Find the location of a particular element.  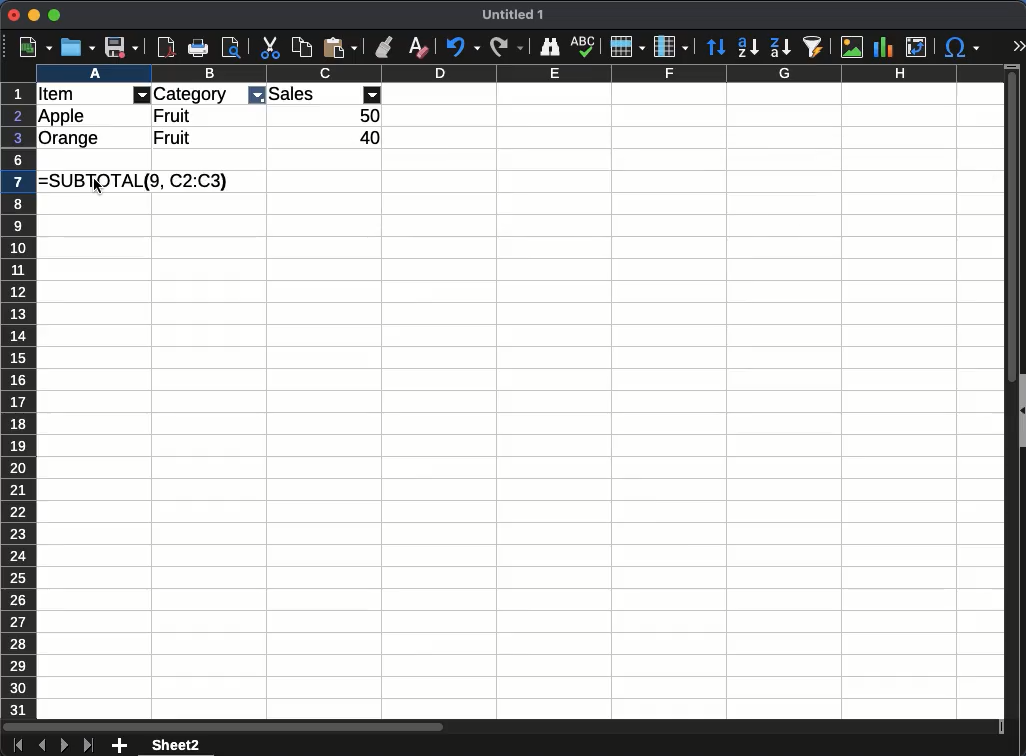

clone formatting is located at coordinates (383, 47).